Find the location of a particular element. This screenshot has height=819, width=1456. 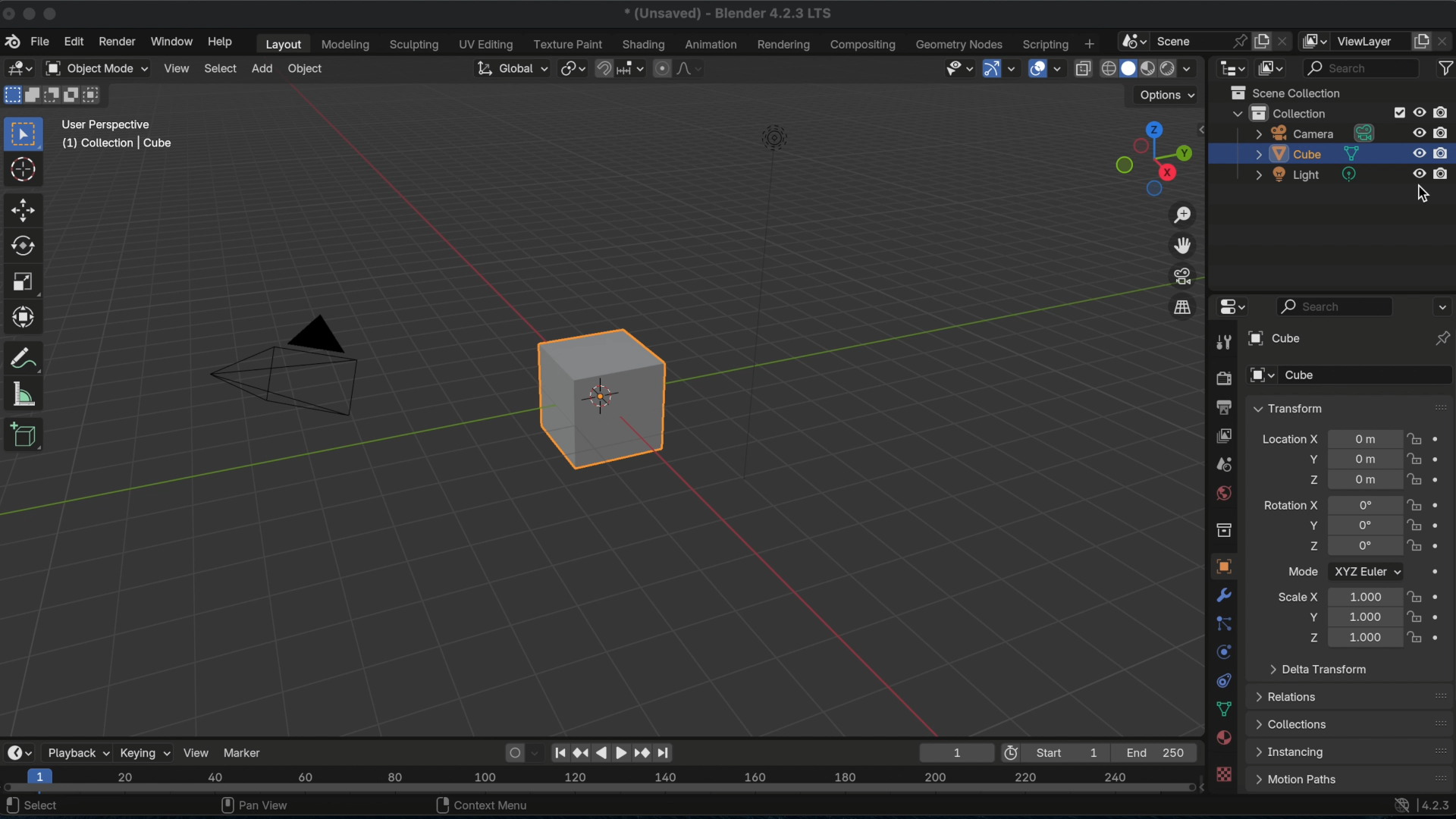

location of object is located at coordinates (1364, 459).